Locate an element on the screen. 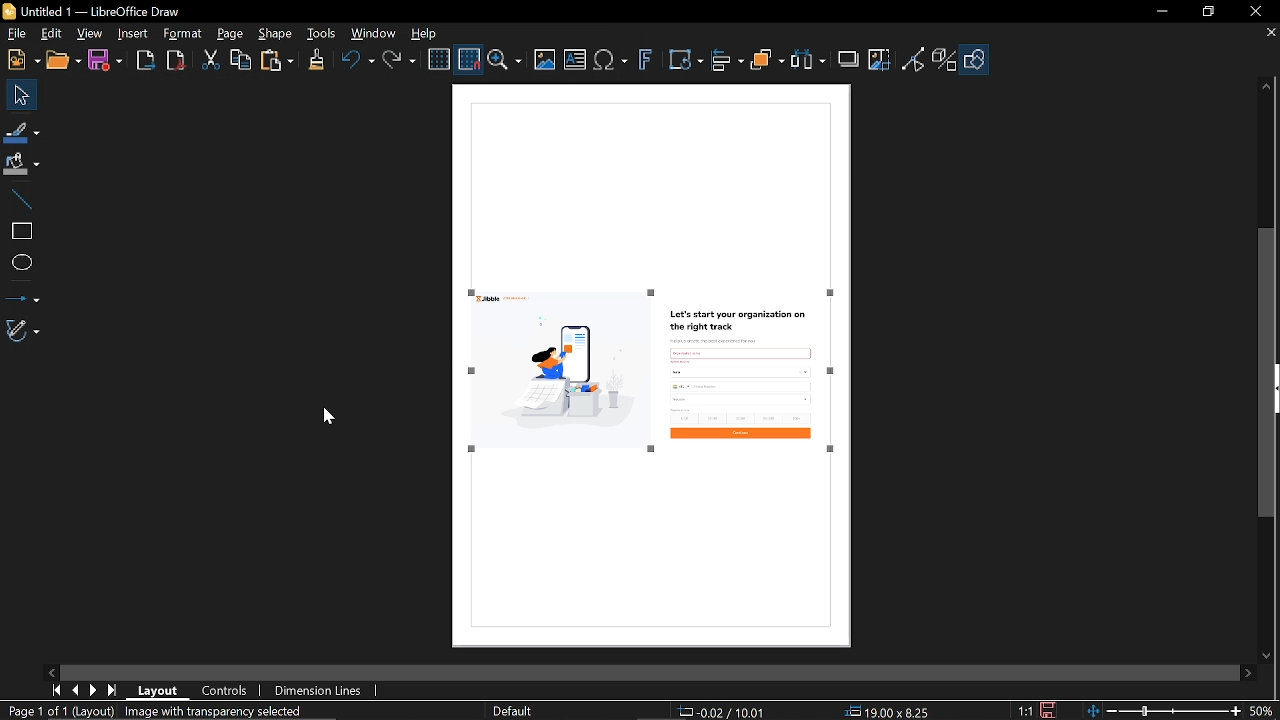 The image size is (1280, 720). Crop  is located at coordinates (882, 60).